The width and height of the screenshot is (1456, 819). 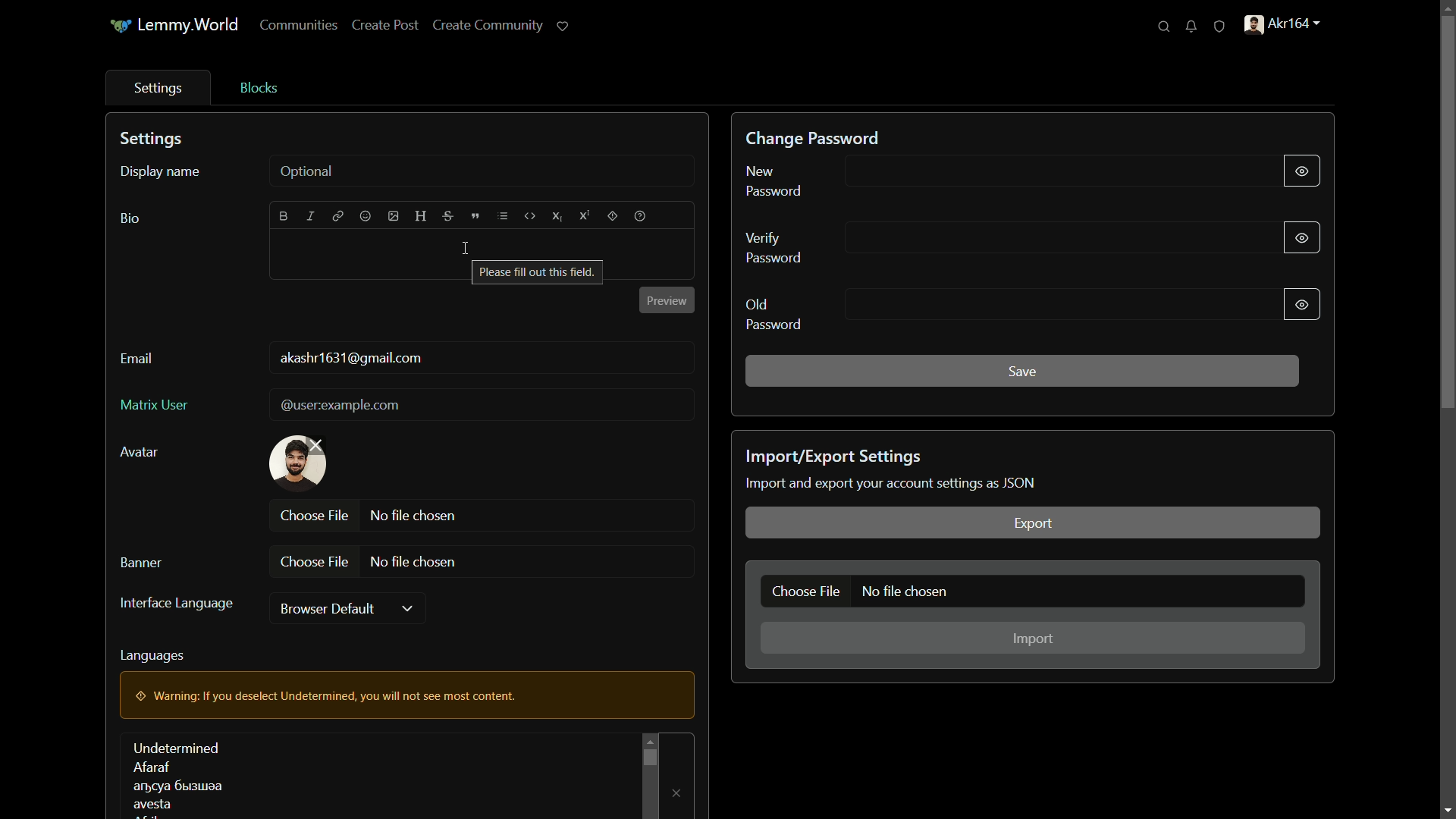 I want to click on dropdown, so click(x=407, y=610).